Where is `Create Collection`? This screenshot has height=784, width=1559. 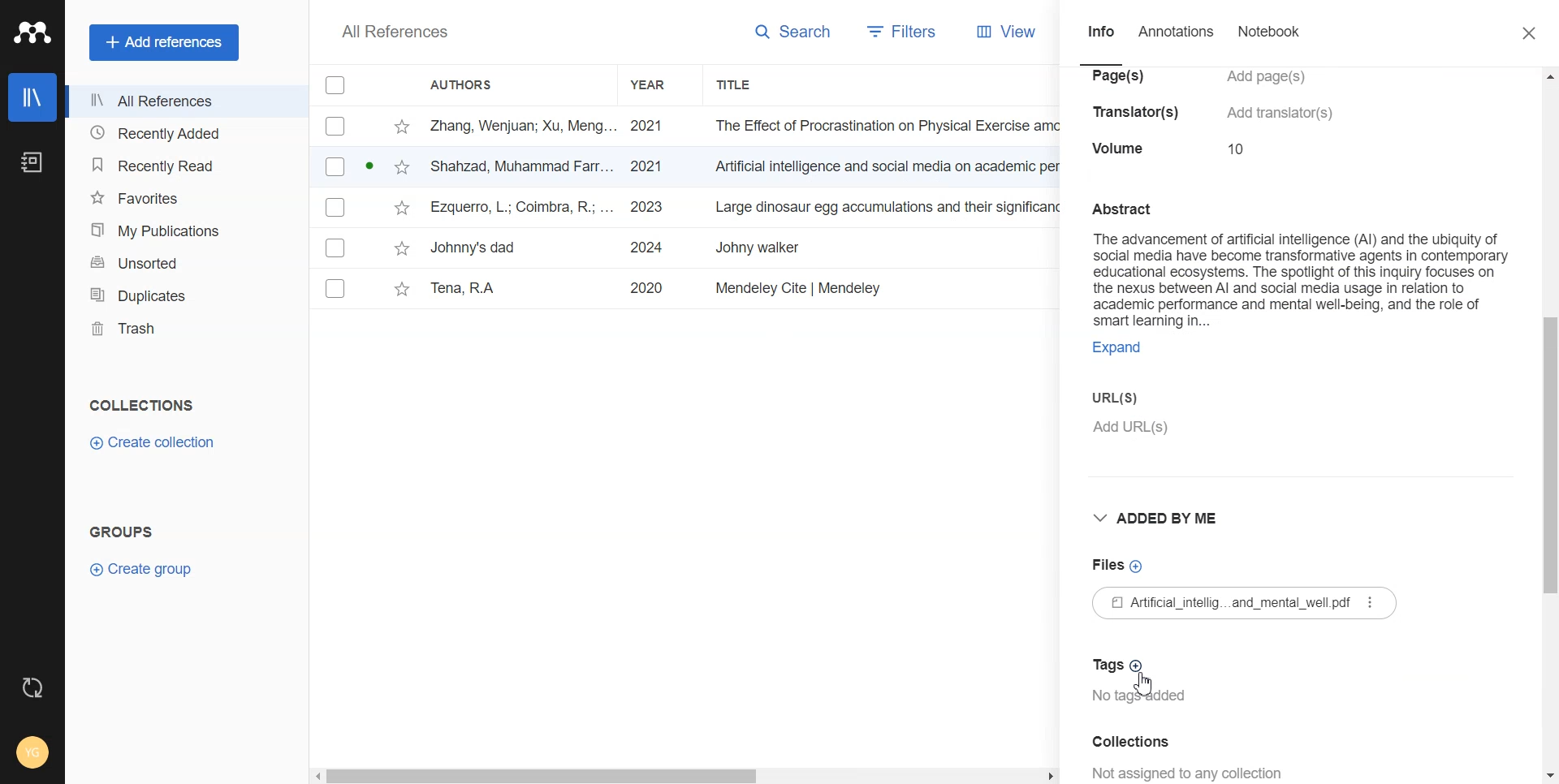 Create Collection is located at coordinates (154, 443).